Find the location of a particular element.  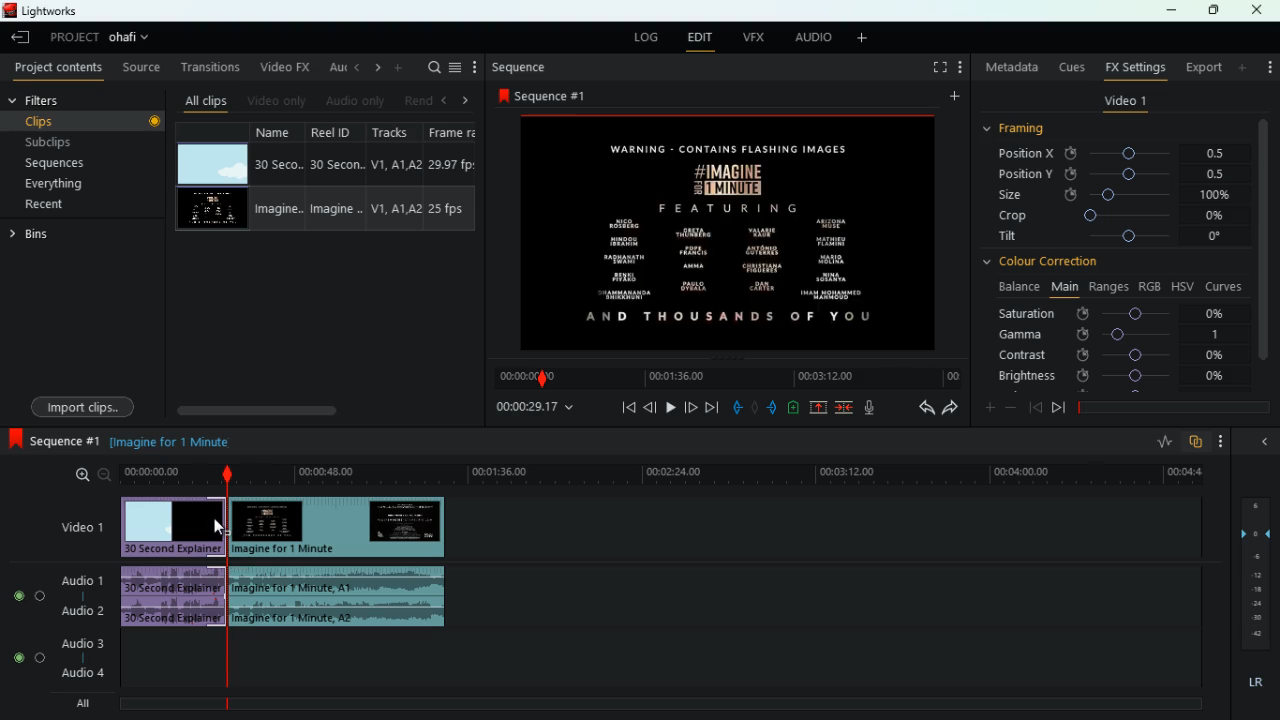

beggining is located at coordinates (622, 407).